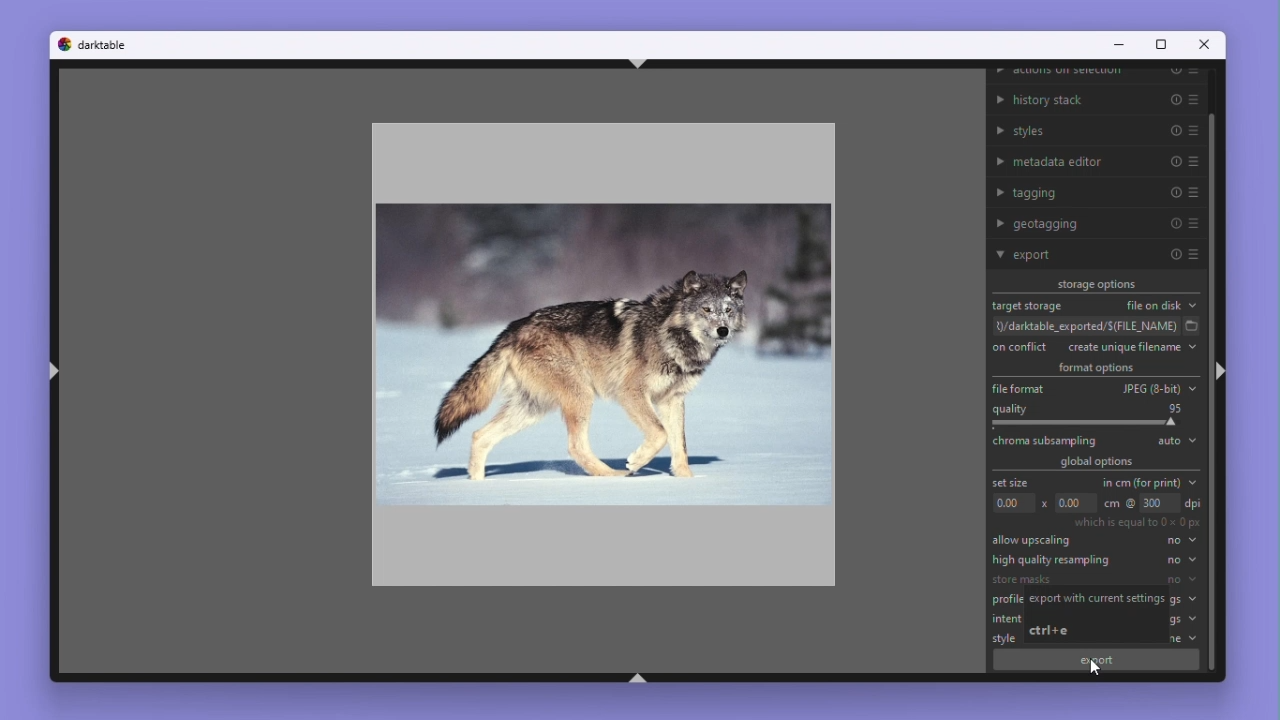  What do you see at coordinates (1099, 101) in the screenshot?
I see `History stack` at bounding box center [1099, 101].